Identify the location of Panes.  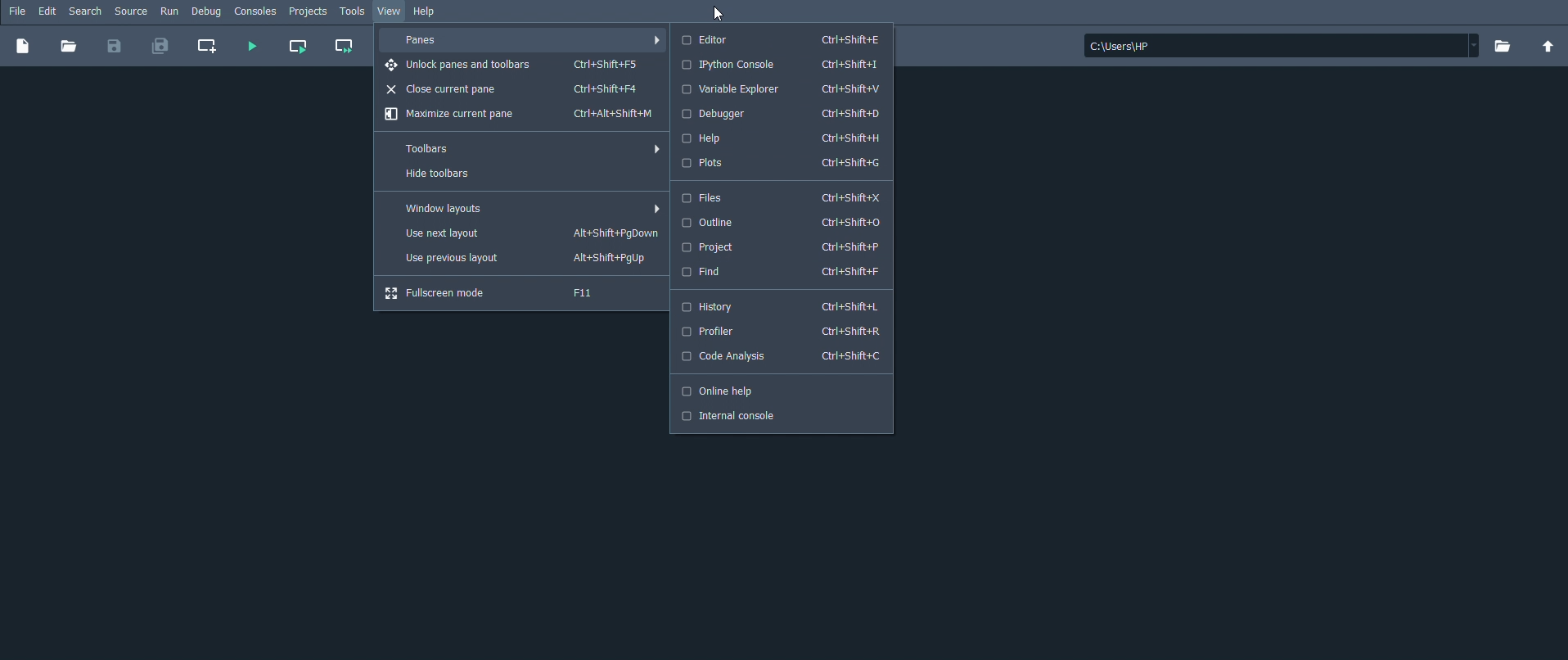
(526, 40).